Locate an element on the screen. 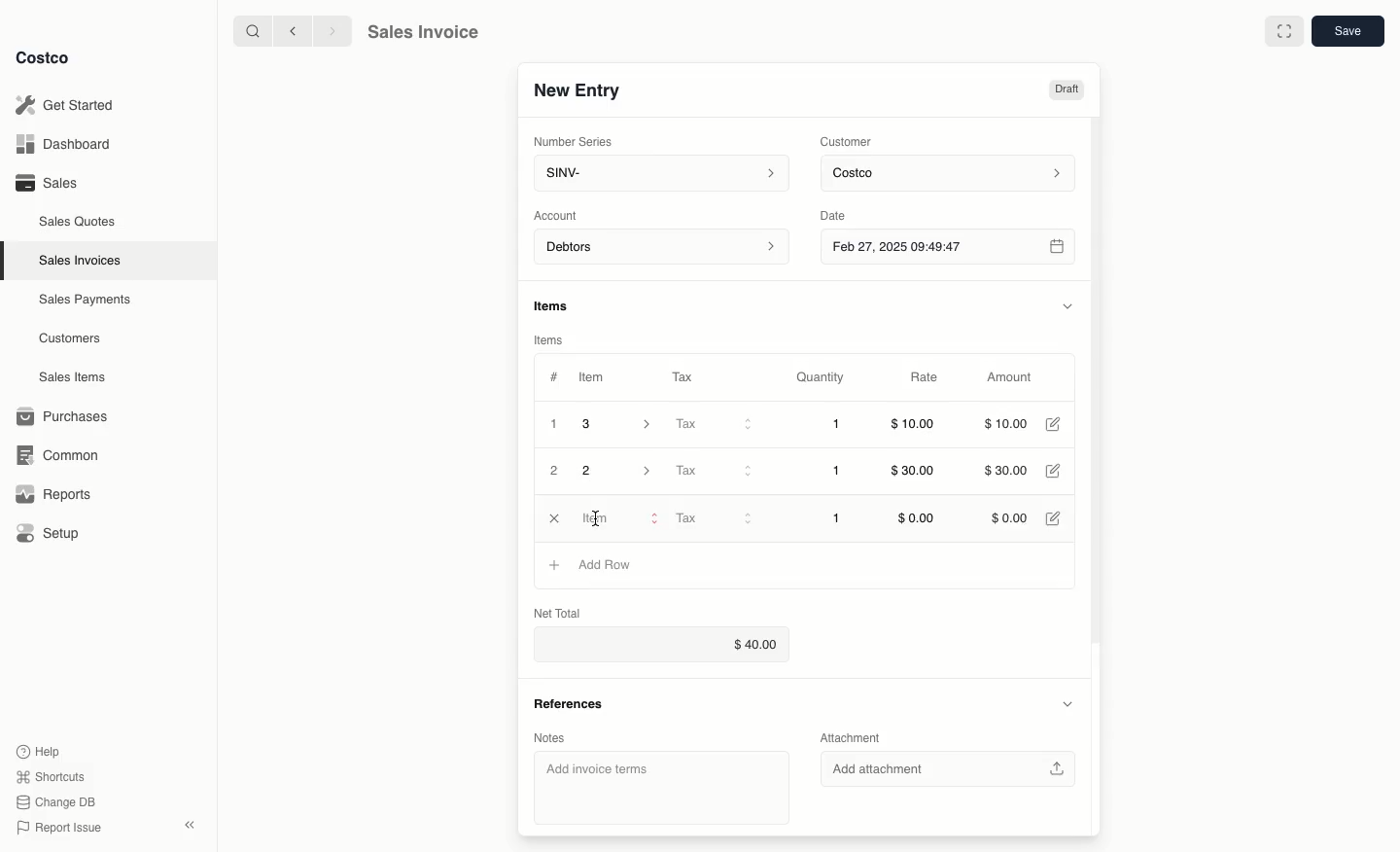  search is located at coordinates (249, 30).